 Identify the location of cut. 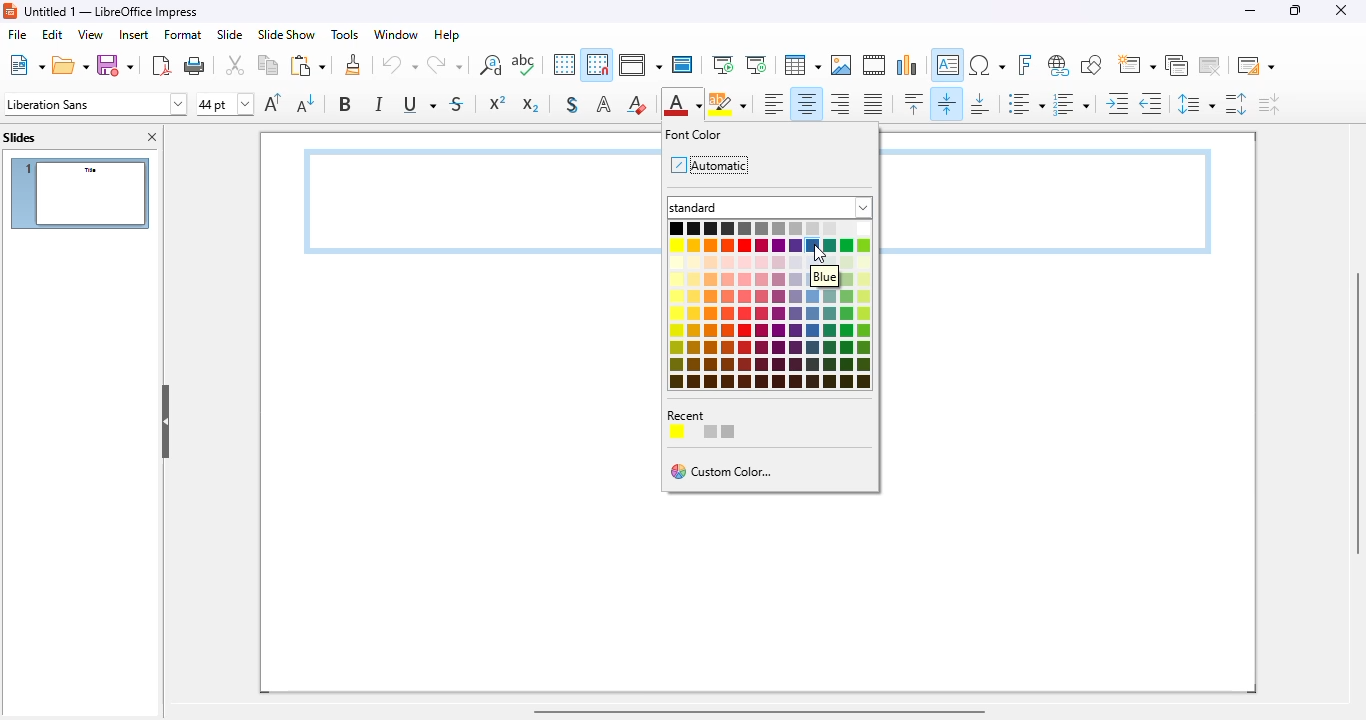
(235, 65).